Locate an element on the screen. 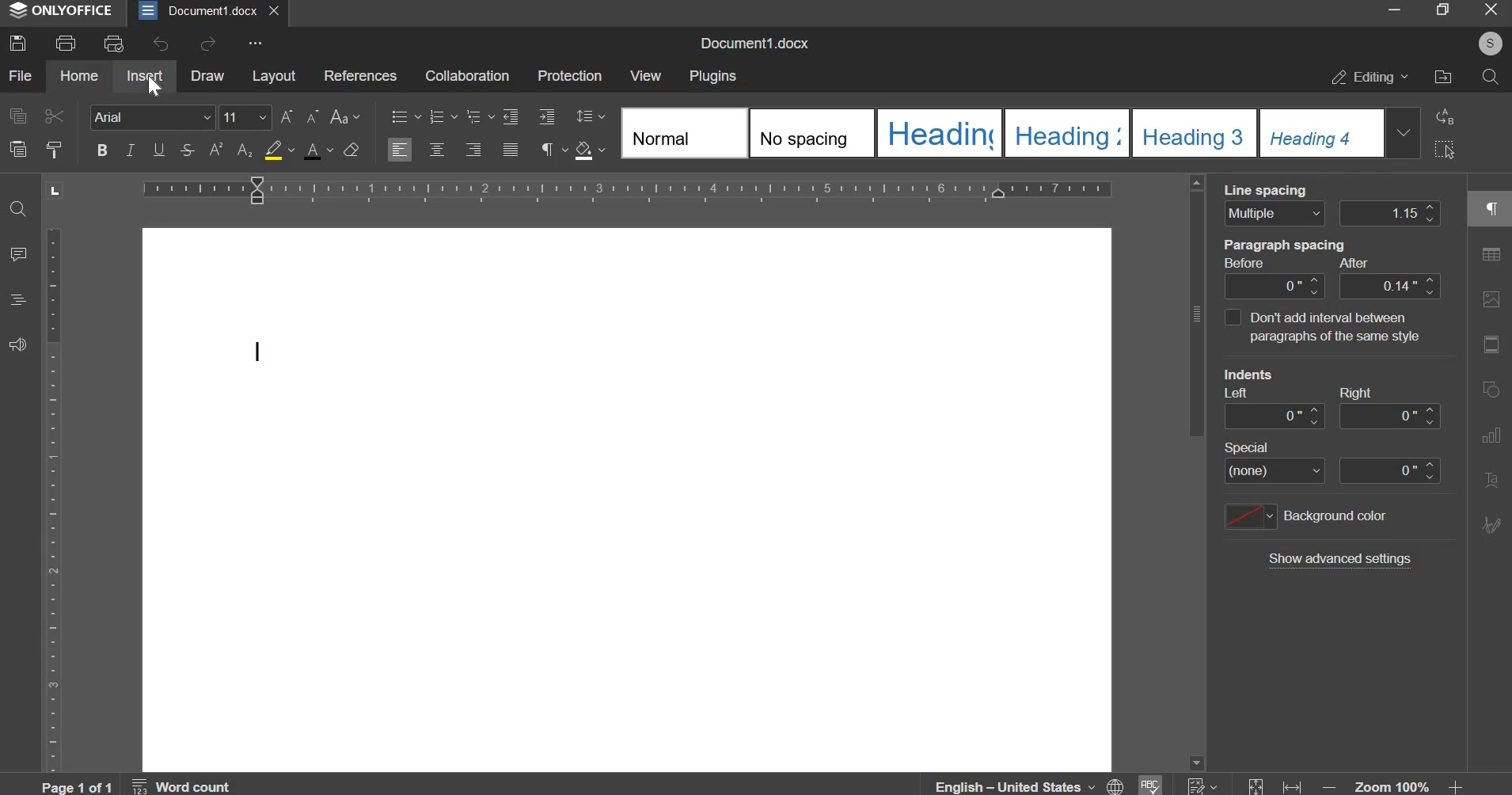 This screenshot has width=1512, height=795. print is located at coordinates (64, 43).